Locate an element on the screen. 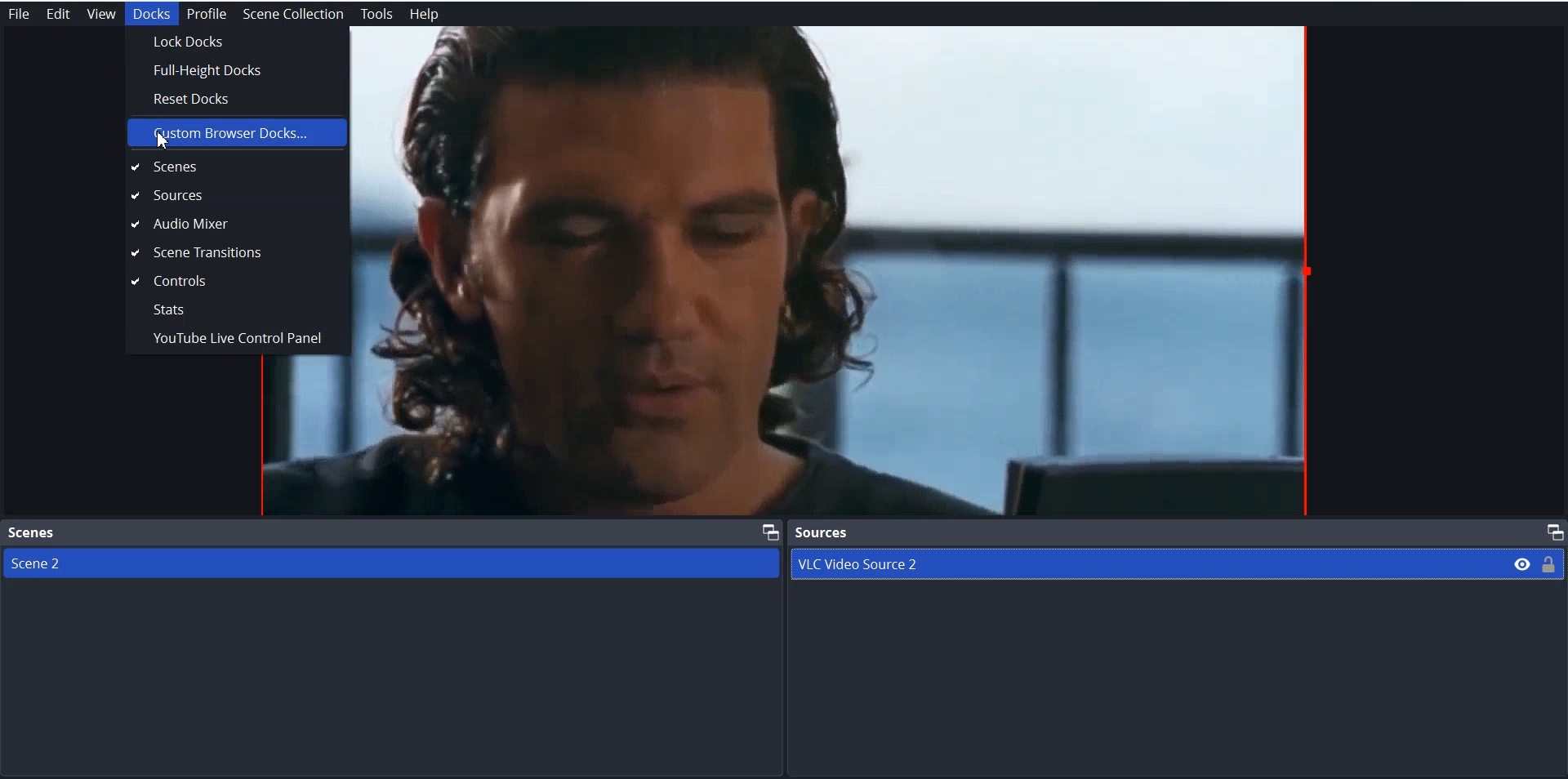 This screenshot has height=779, width=1568. Scene 2 is located at coordinates (392, 563).